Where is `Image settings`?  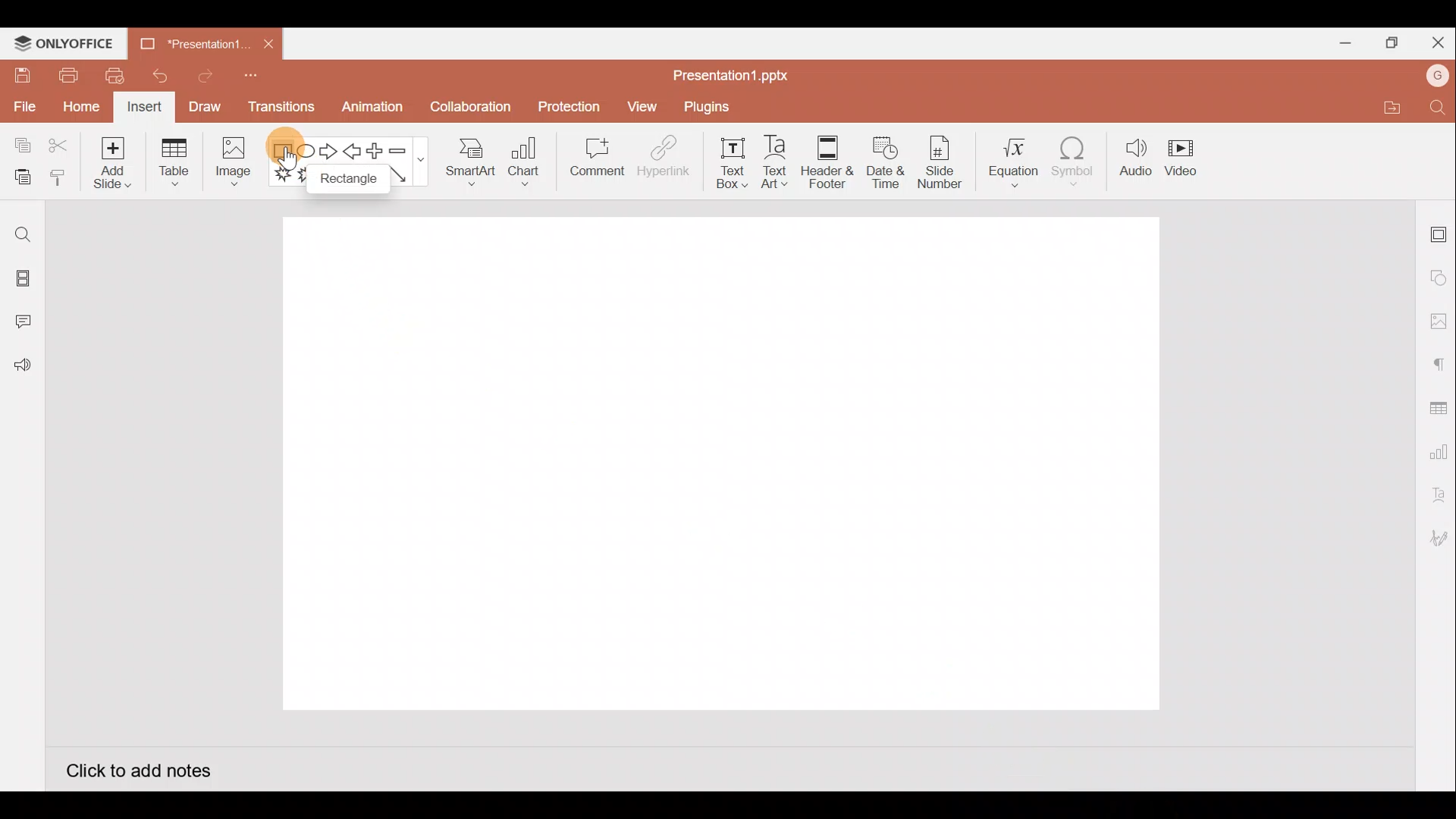
Image settings is located at coordinates (1439, 322).